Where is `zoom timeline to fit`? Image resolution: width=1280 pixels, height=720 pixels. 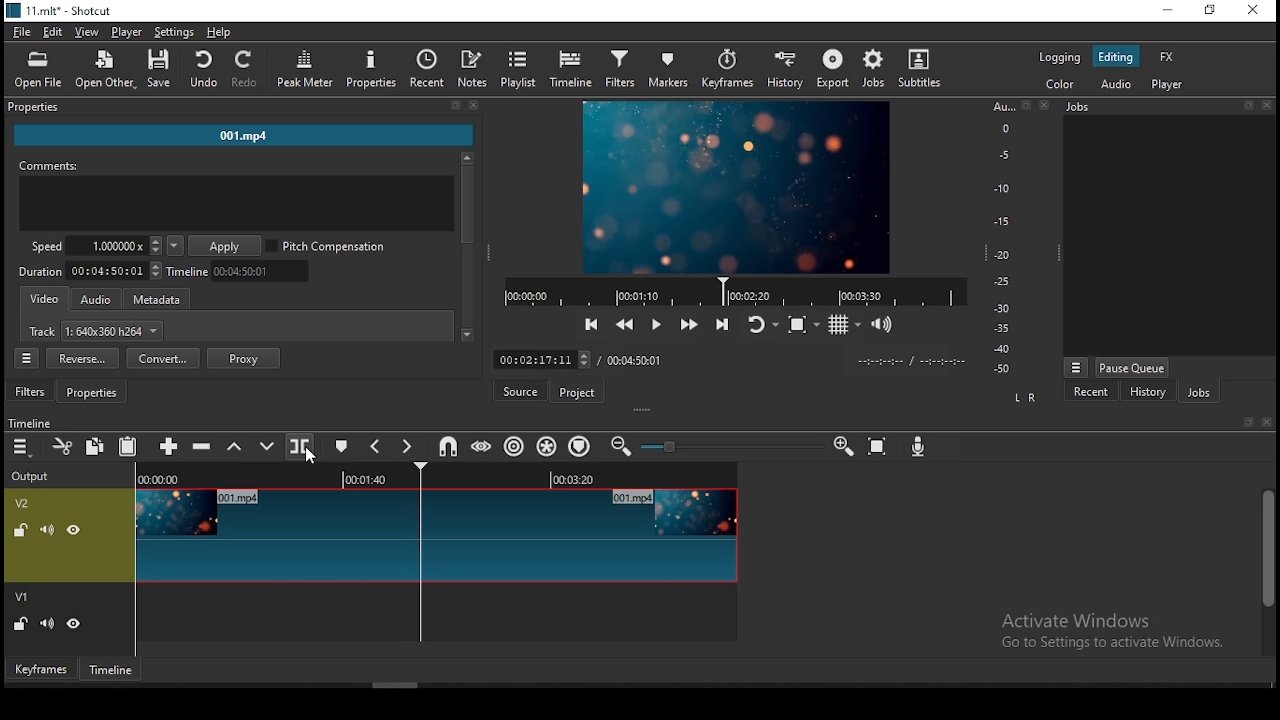
zoom timeline to fit is located at coordinates (879, 443).